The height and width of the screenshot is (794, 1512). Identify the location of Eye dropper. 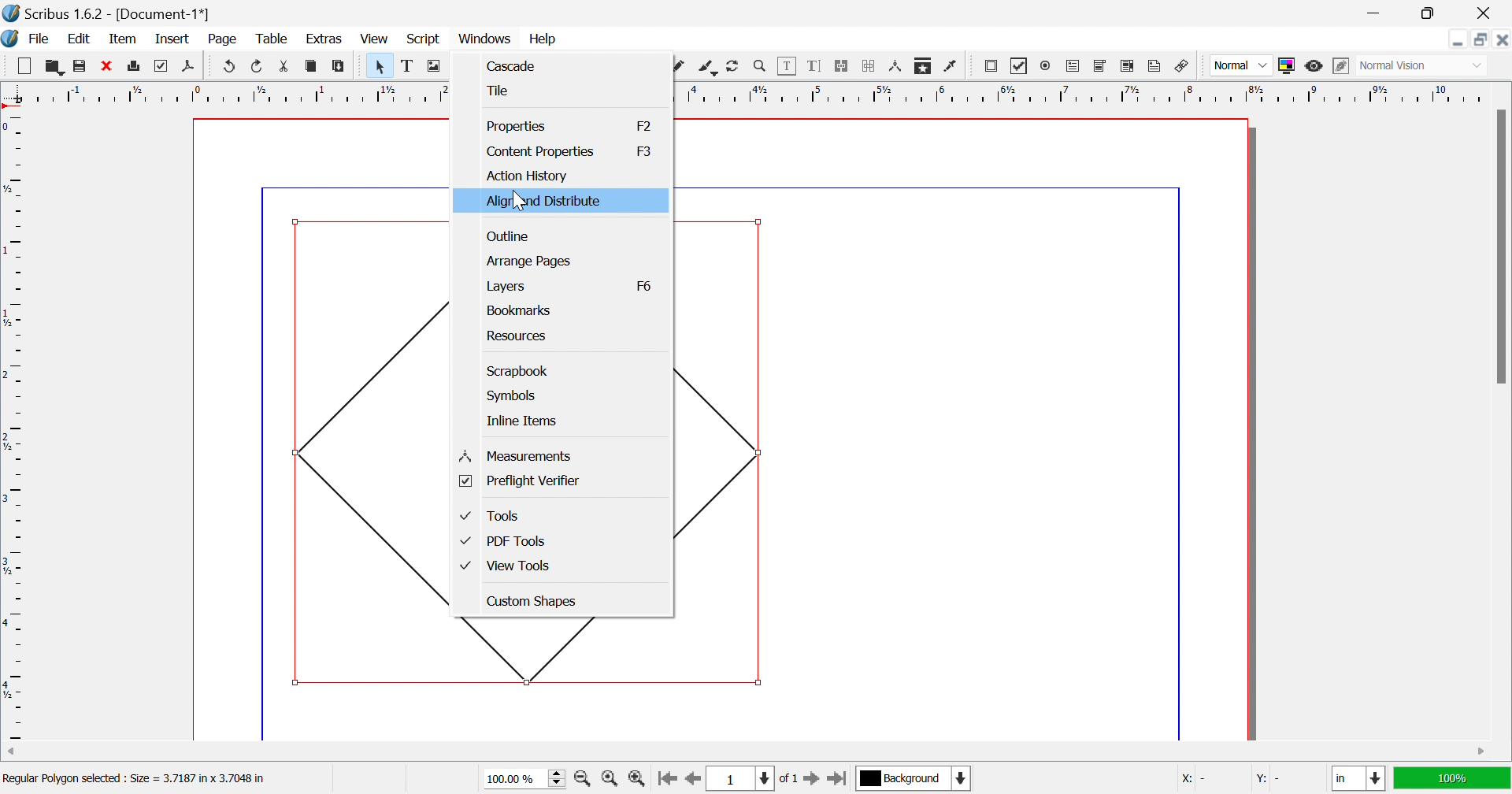
(952, 66).